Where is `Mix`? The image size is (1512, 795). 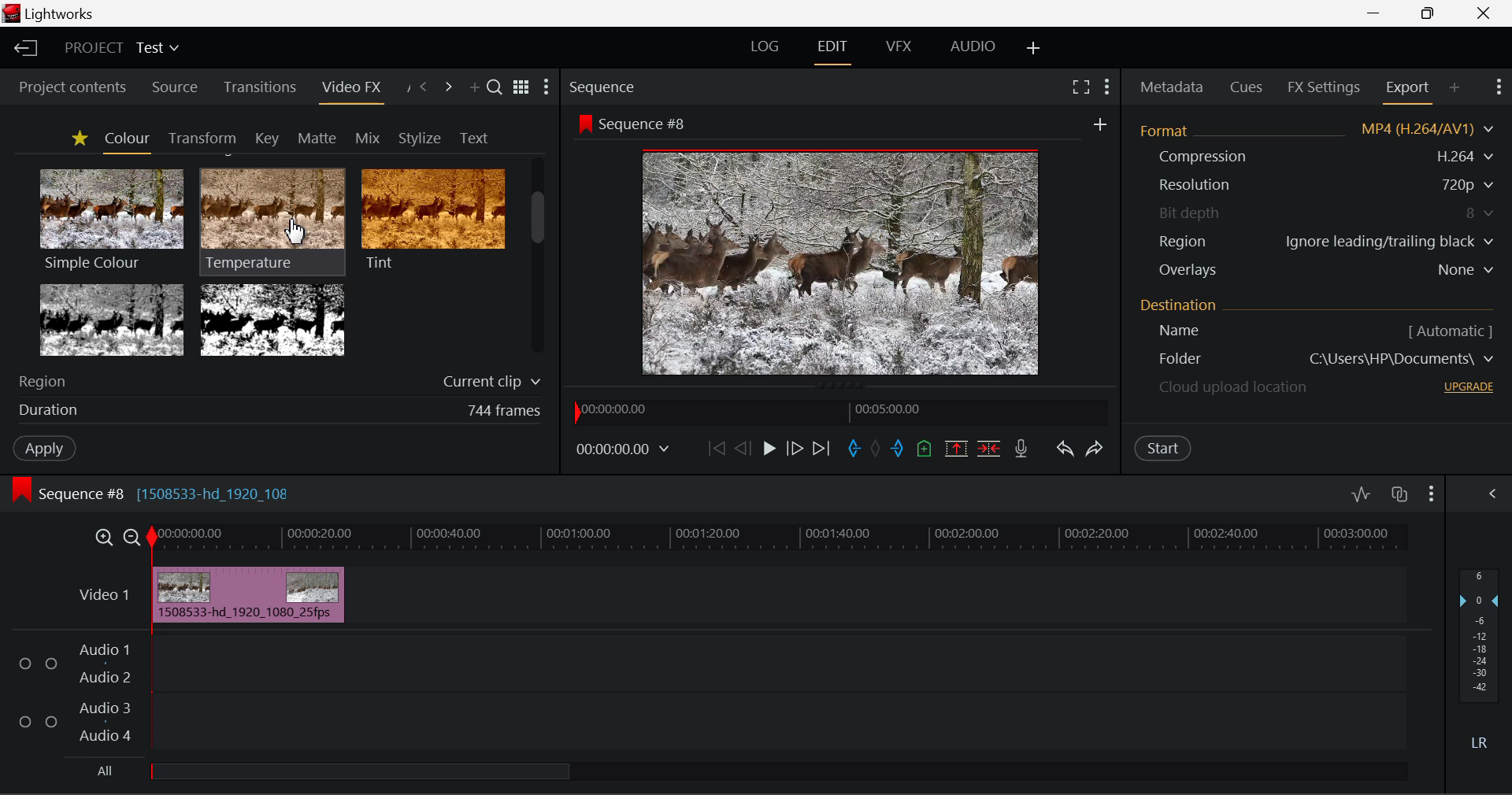 Mix is located at coordinates (369, 135).